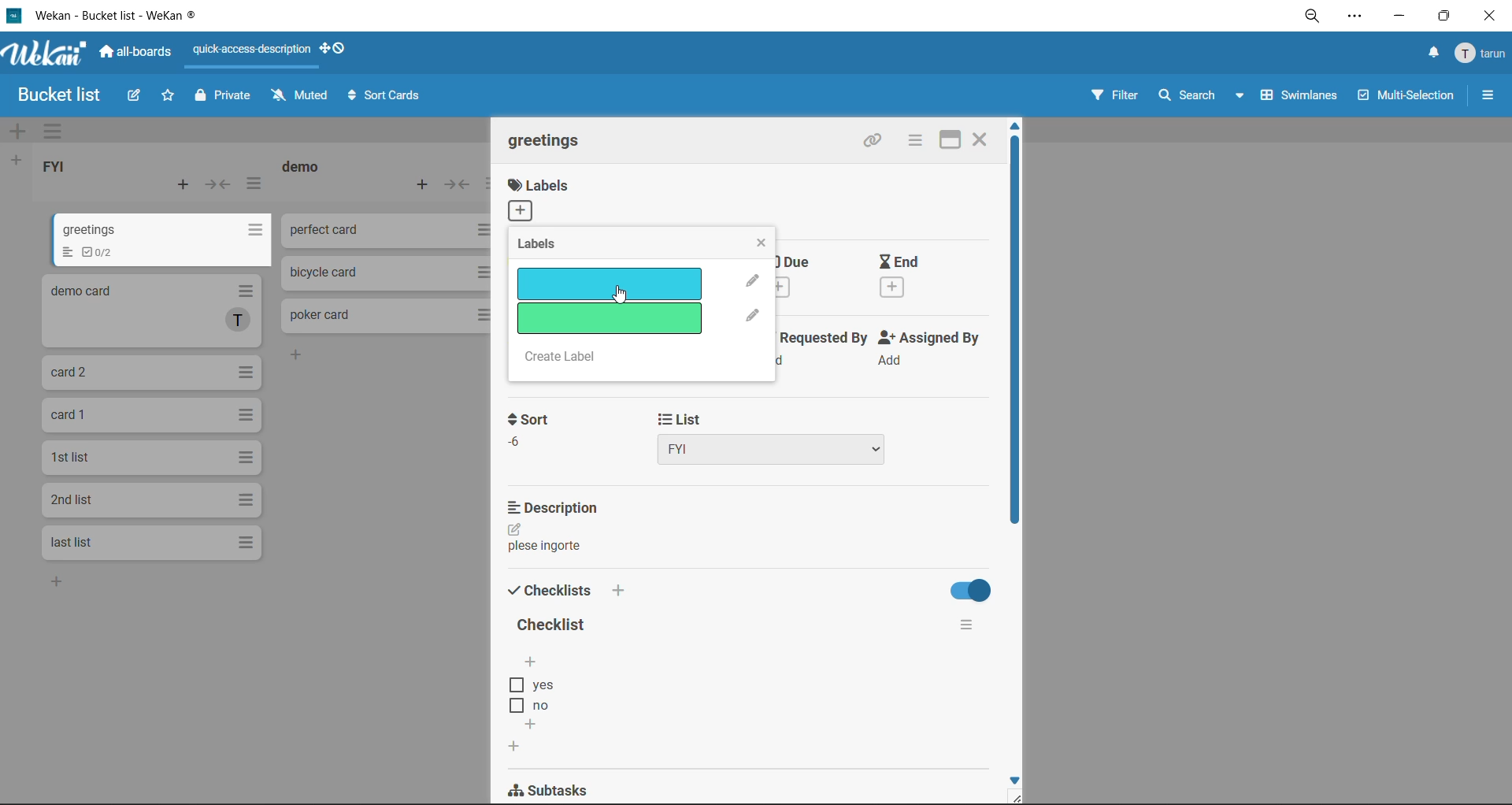 Image resolution: width=1512 pixels, height=805 pixels. What do you see at coordinates (220, 184) in the screenshot?
I see `collapse` at bounding box center [220, 184].